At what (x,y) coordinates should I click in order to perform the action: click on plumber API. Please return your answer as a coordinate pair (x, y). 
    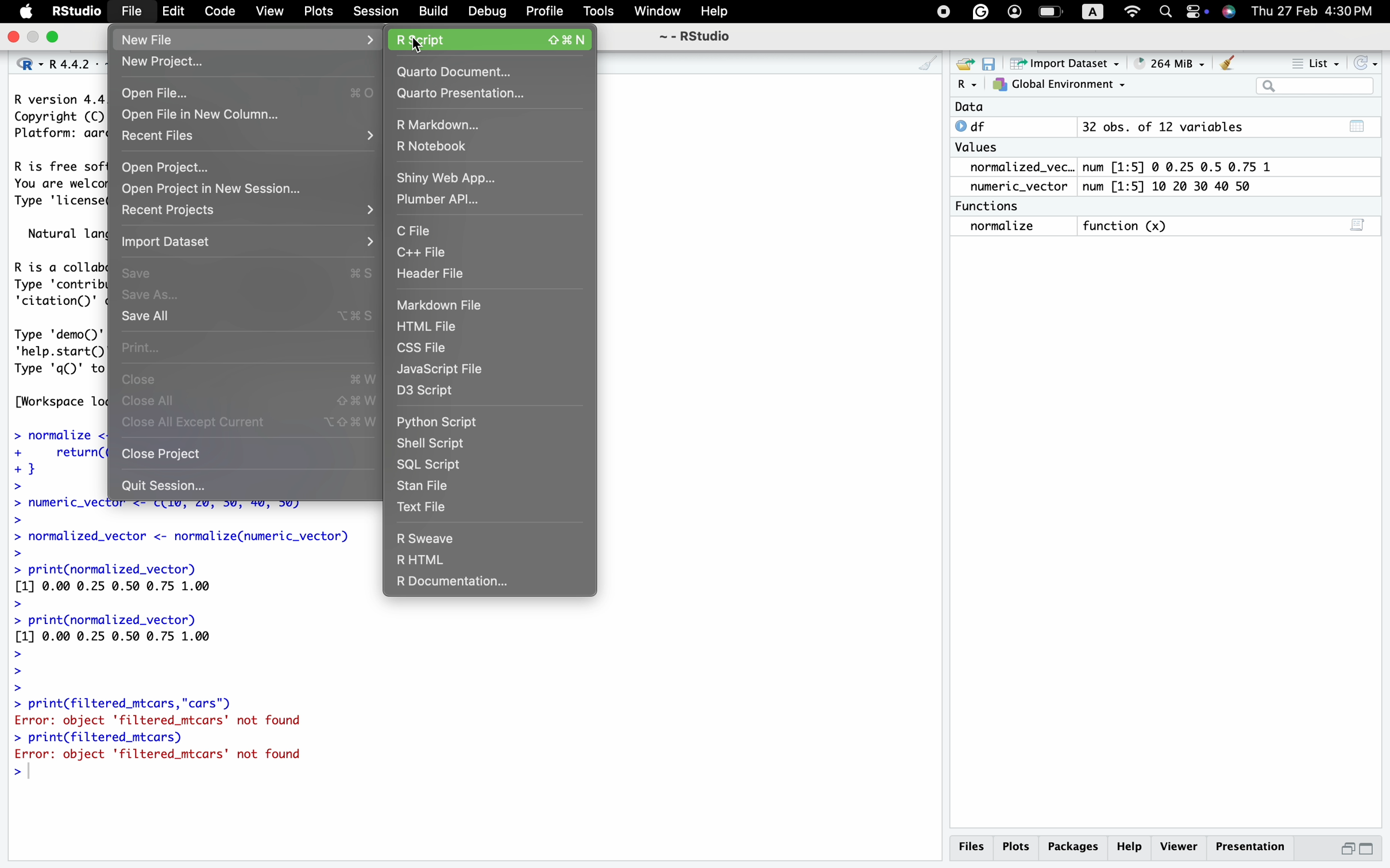
    Looking at the image, I should click on (488, 203).